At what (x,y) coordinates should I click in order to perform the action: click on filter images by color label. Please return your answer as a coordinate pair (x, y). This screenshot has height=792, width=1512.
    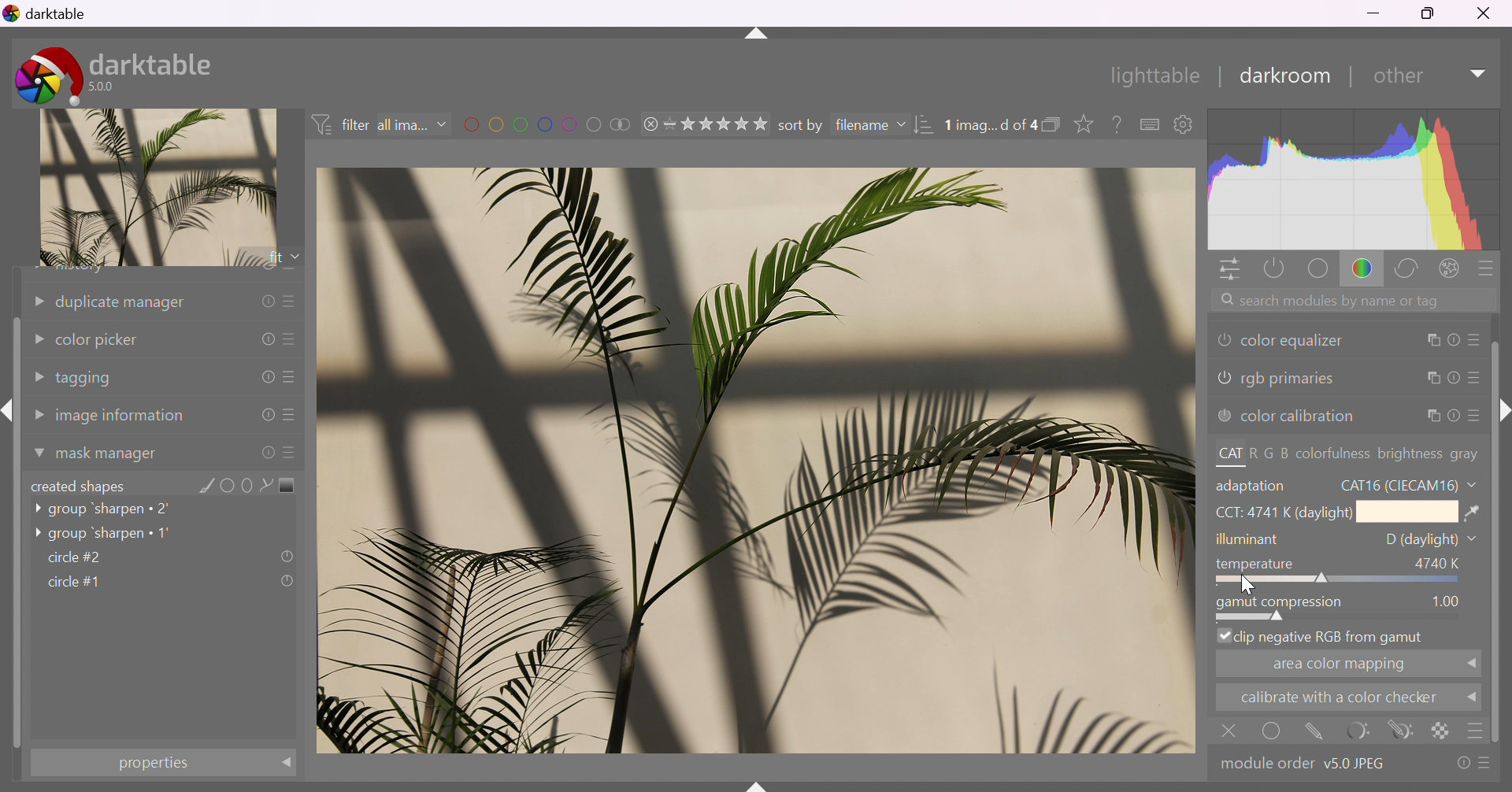
    Looking at the image, I should click on (547, 125).